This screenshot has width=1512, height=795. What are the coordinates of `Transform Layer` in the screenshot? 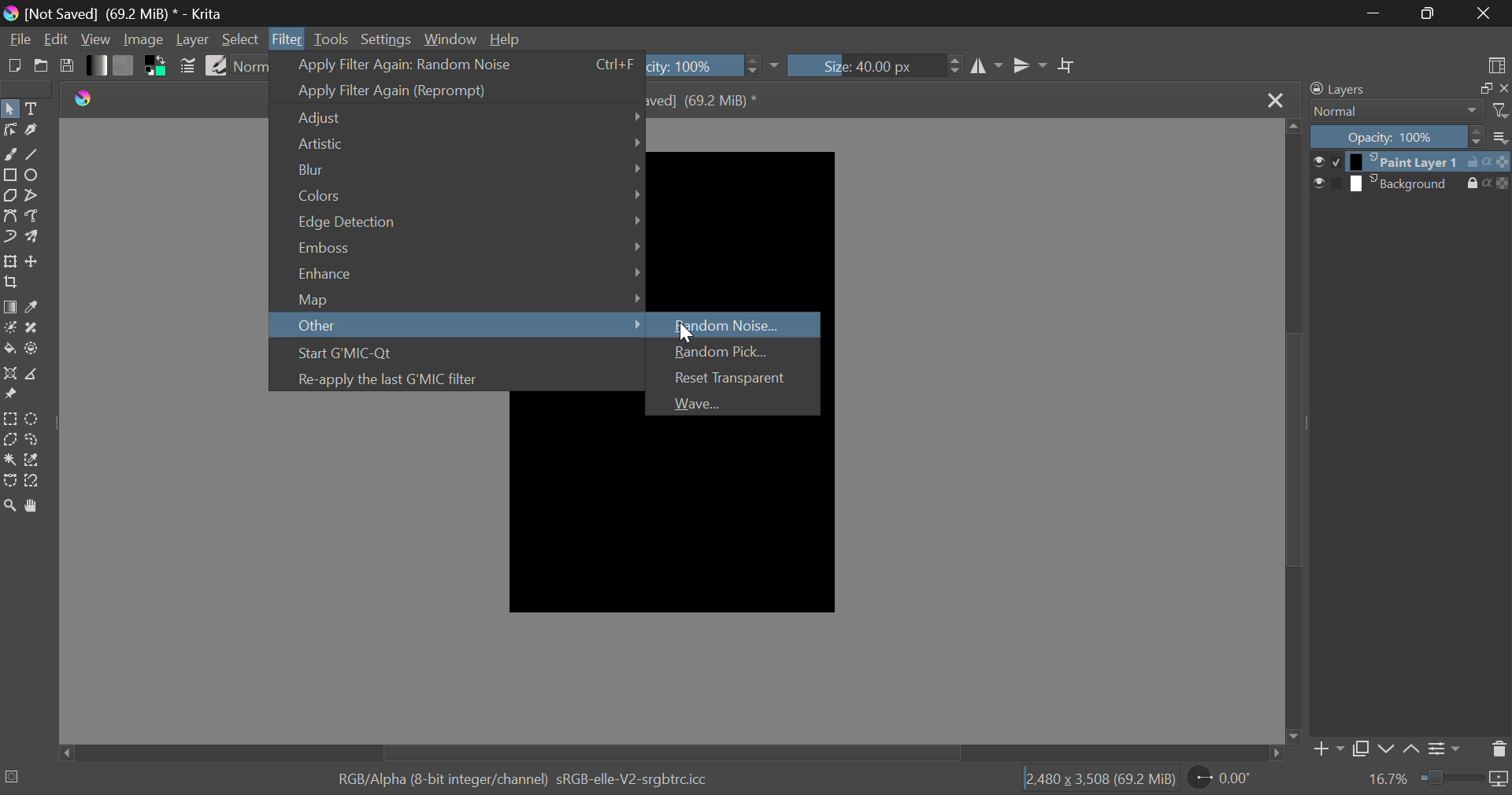 It's located at (10, 261).